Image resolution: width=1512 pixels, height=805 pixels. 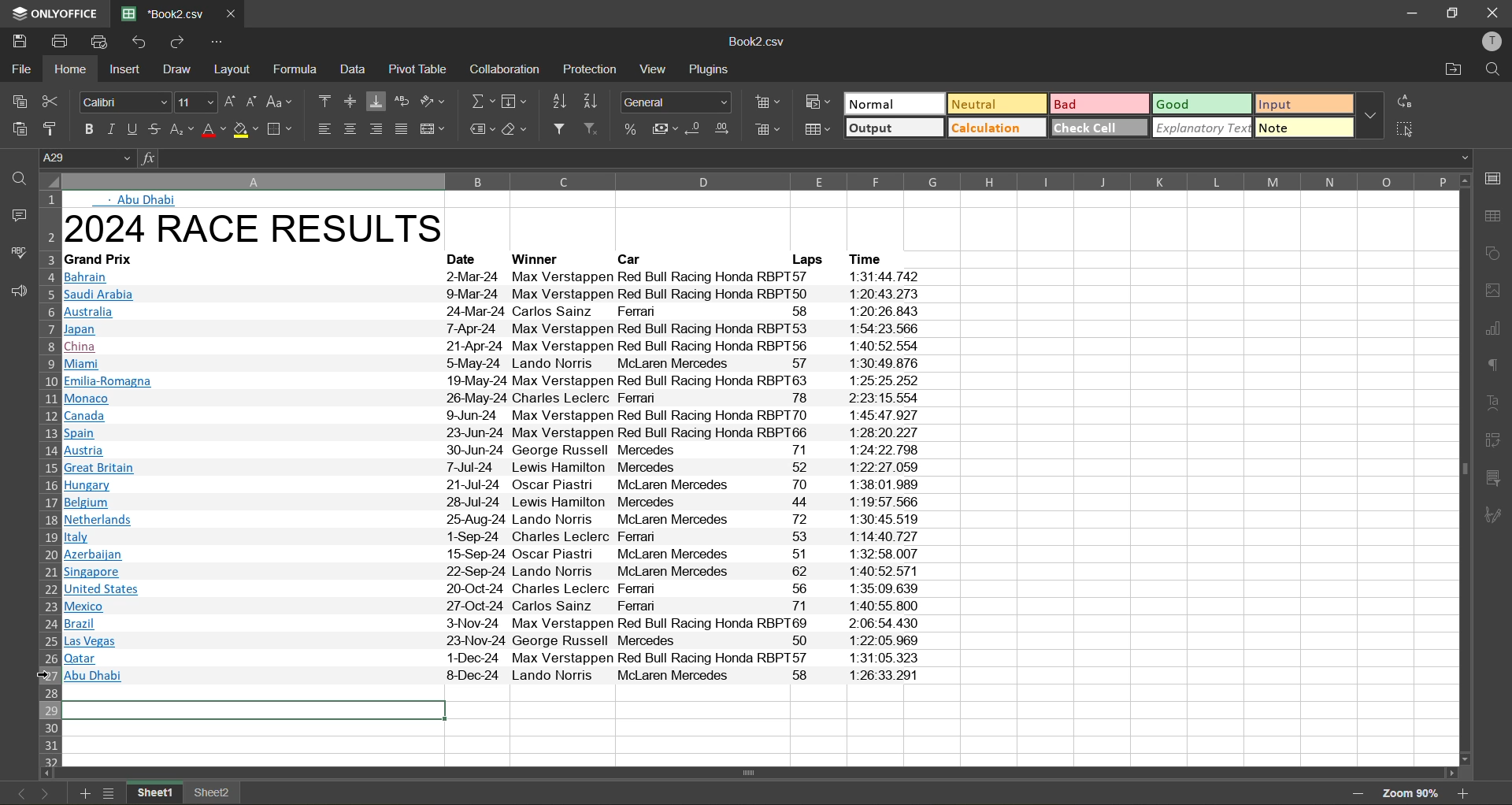 What do you see at coordinates (20, 101) in the screenshot?
I see `copy` at bounding box center [20, 101].